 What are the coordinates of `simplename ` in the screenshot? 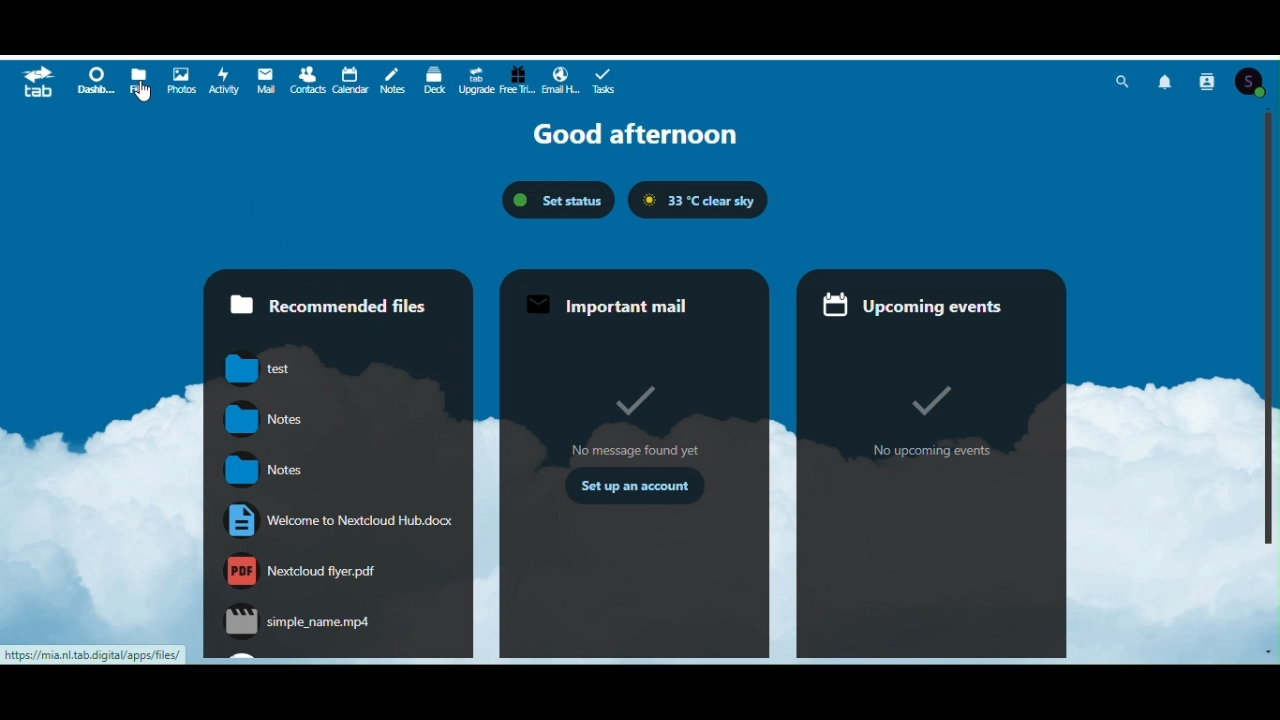 It's located at (296, 620).